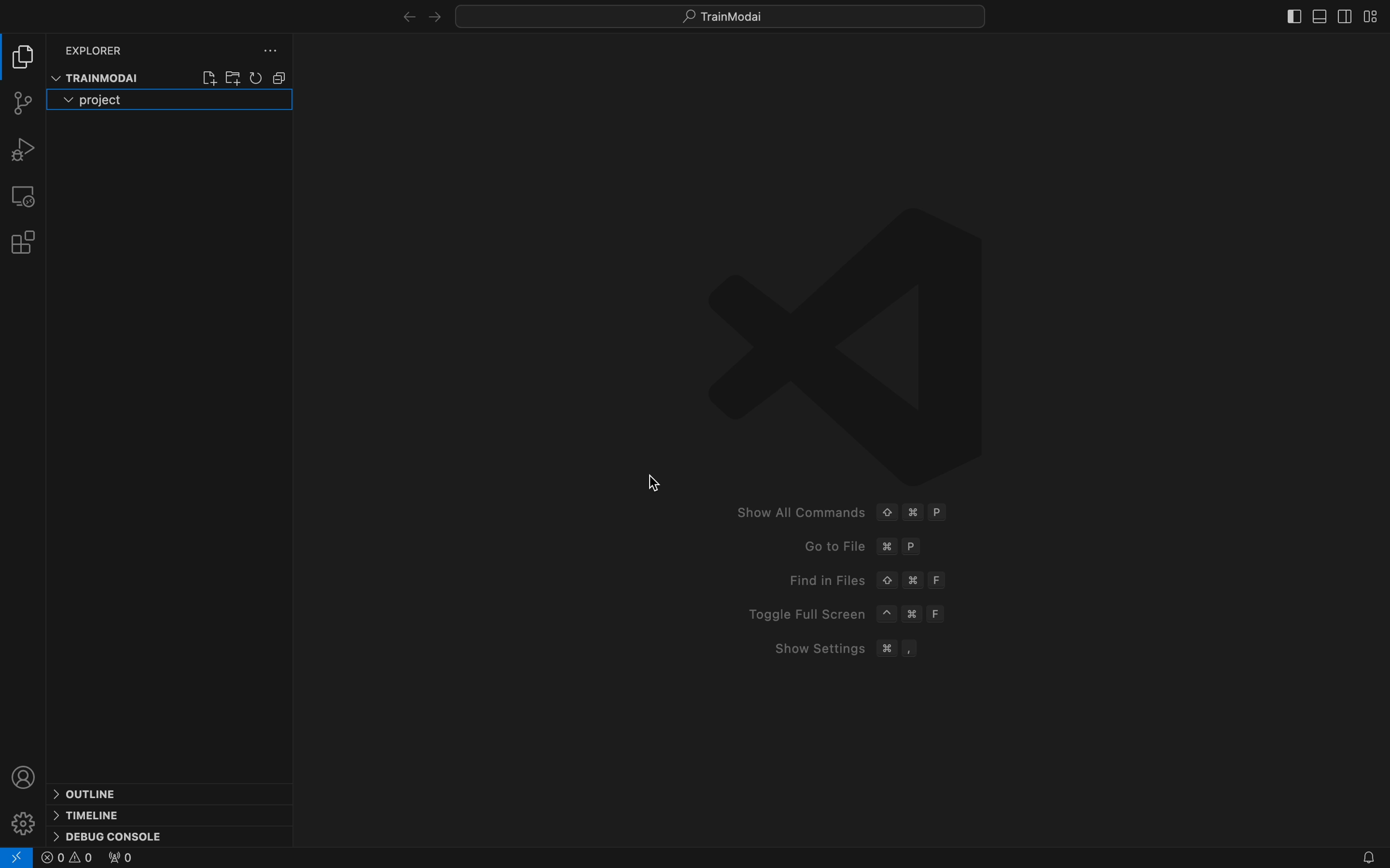  I want to click on notification, so click(1362, 858).